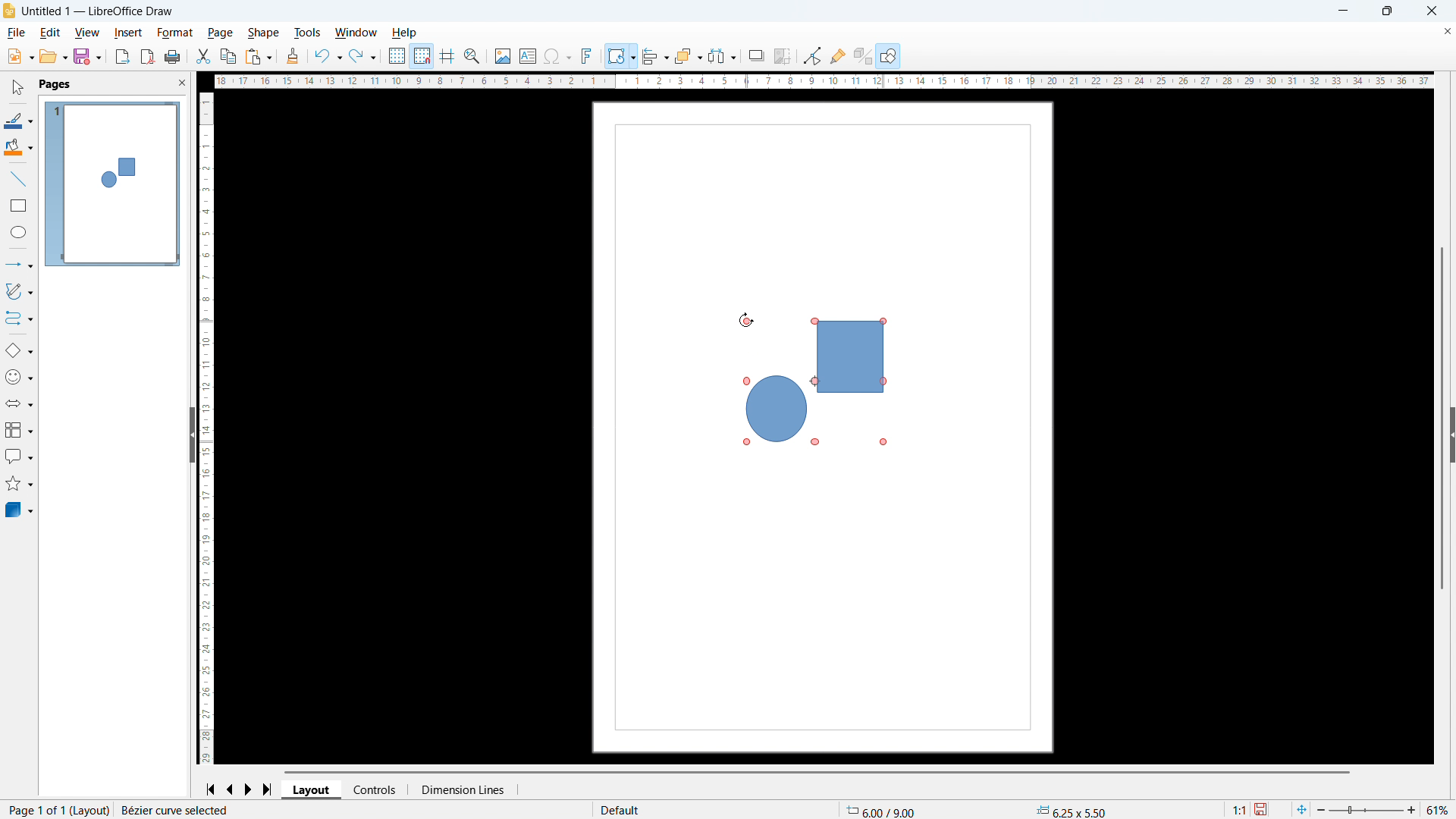 The height and width of the screenshot is (819, 1456). I want to click on Crop image , so click(782, 56).